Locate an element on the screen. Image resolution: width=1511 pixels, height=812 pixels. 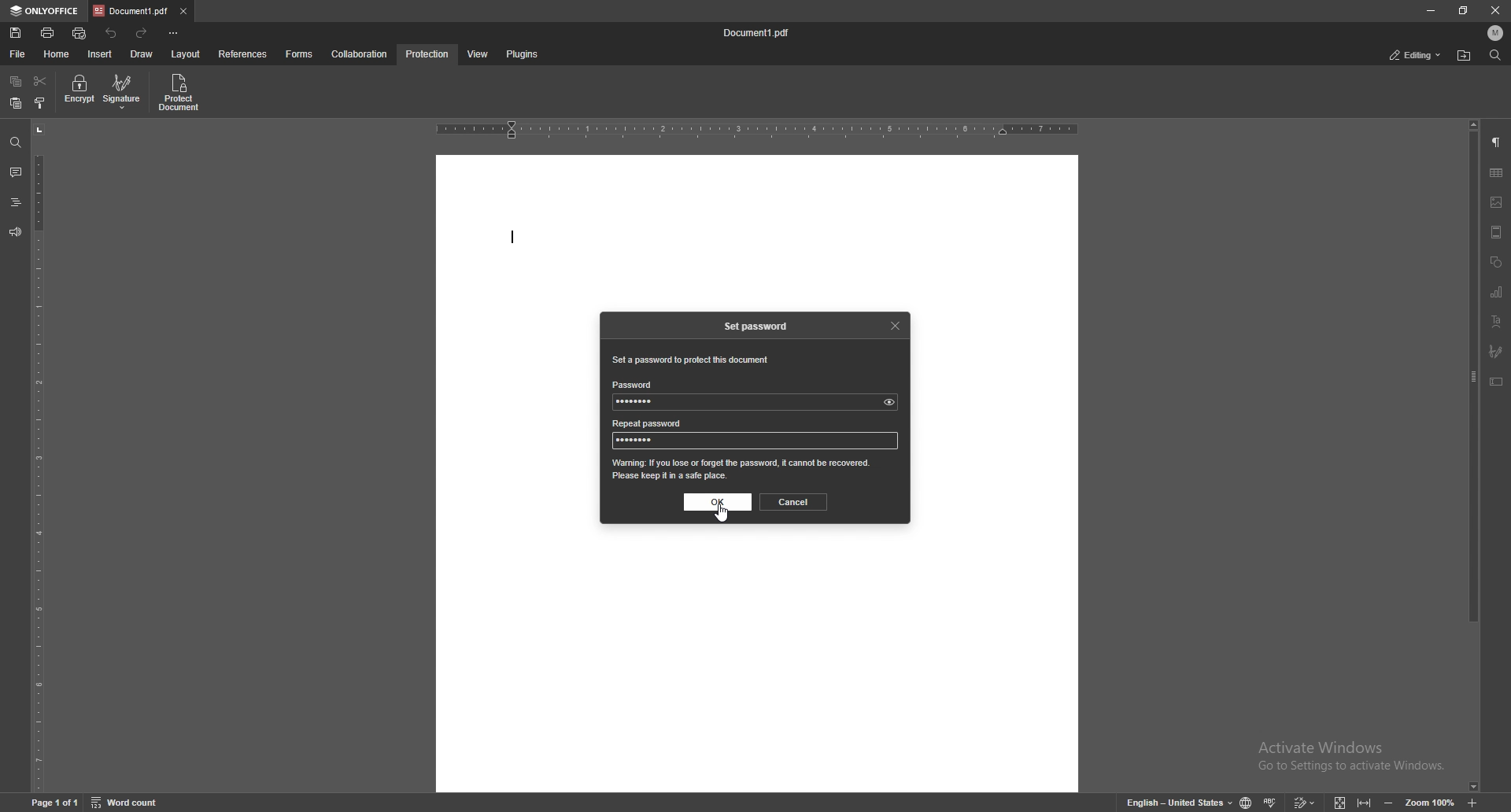
spell check is located at coordinates (1272, 802).